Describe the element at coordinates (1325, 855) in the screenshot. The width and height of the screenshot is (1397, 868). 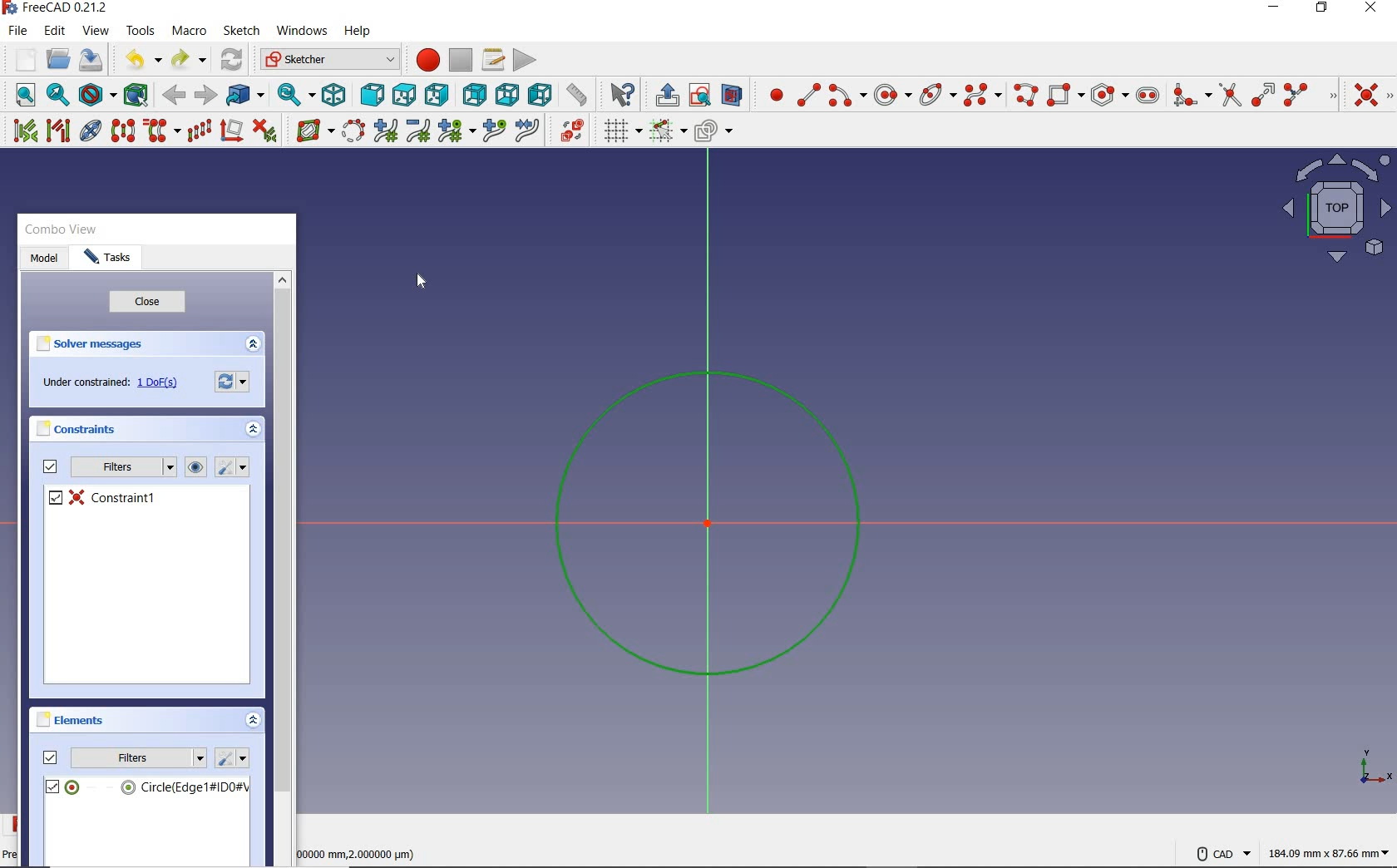
I see `coordintes` at that location.